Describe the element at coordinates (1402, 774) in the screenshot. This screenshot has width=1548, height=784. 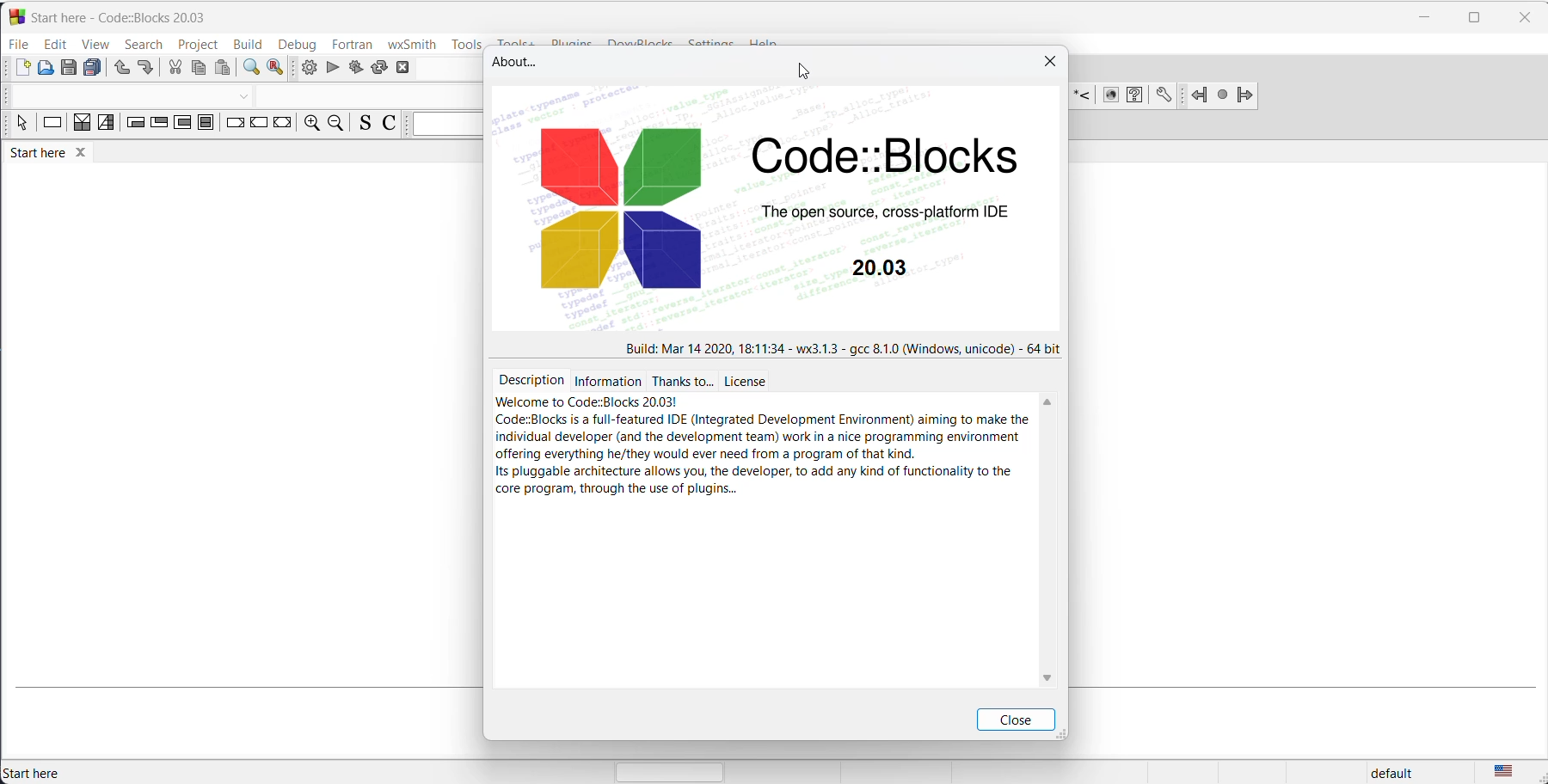
I see `default` at that location.